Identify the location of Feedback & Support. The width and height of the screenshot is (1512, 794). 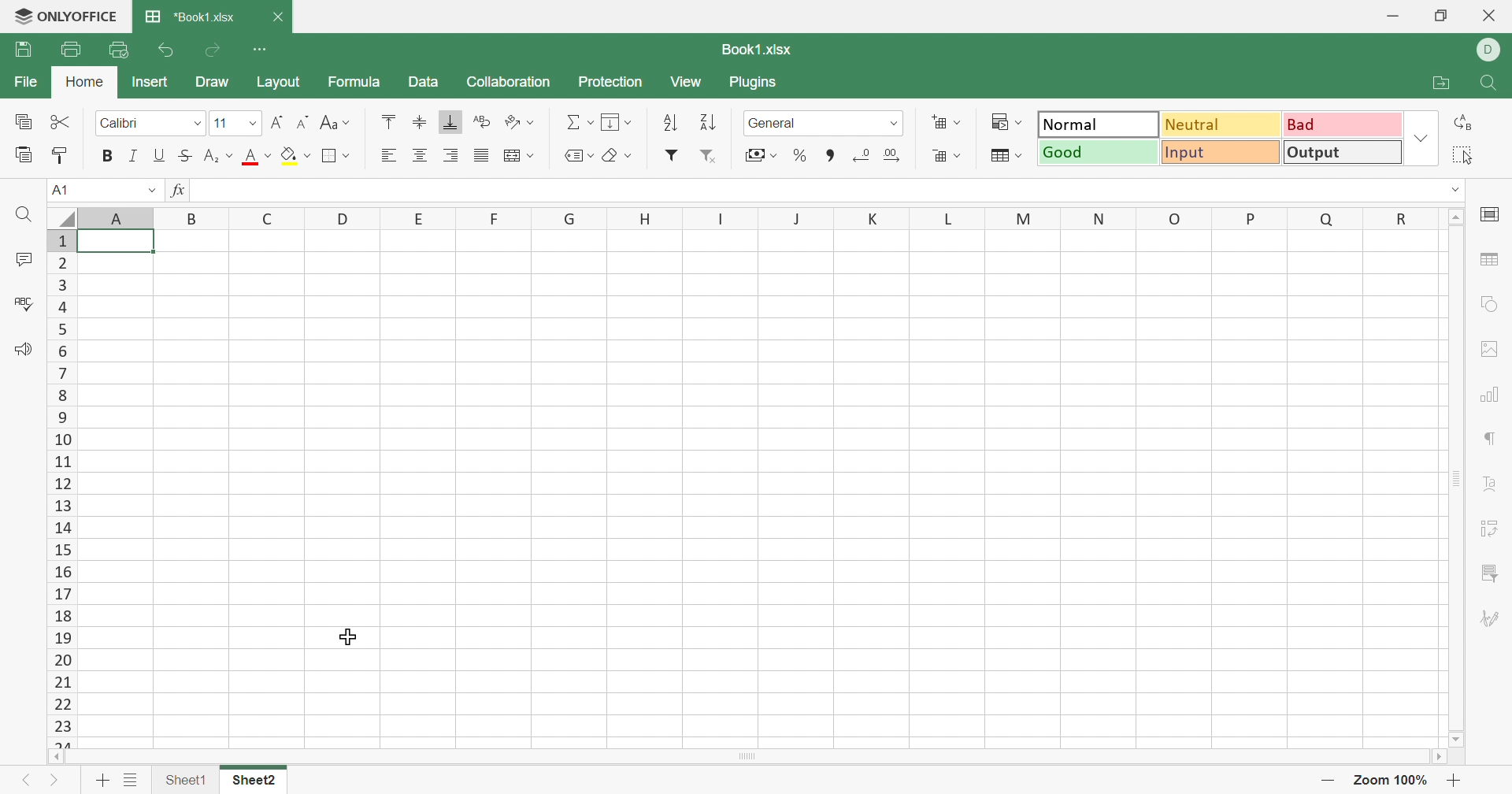
(24, 347).